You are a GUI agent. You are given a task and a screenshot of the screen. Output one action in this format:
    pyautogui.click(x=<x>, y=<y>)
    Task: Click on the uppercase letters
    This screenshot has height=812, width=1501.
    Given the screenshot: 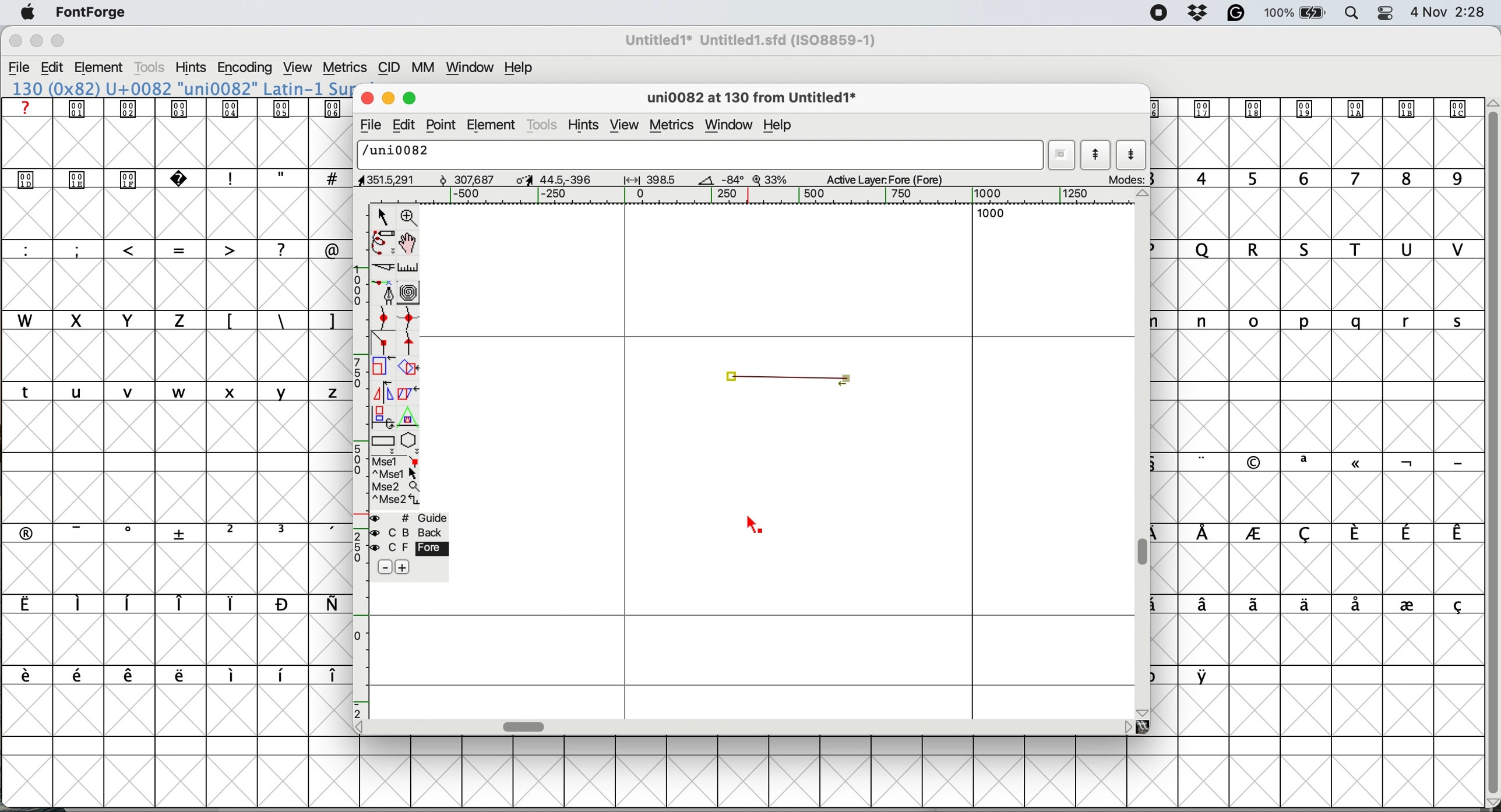 What is the action you would take?
    pyautogui.click(x=103, y=320)
    